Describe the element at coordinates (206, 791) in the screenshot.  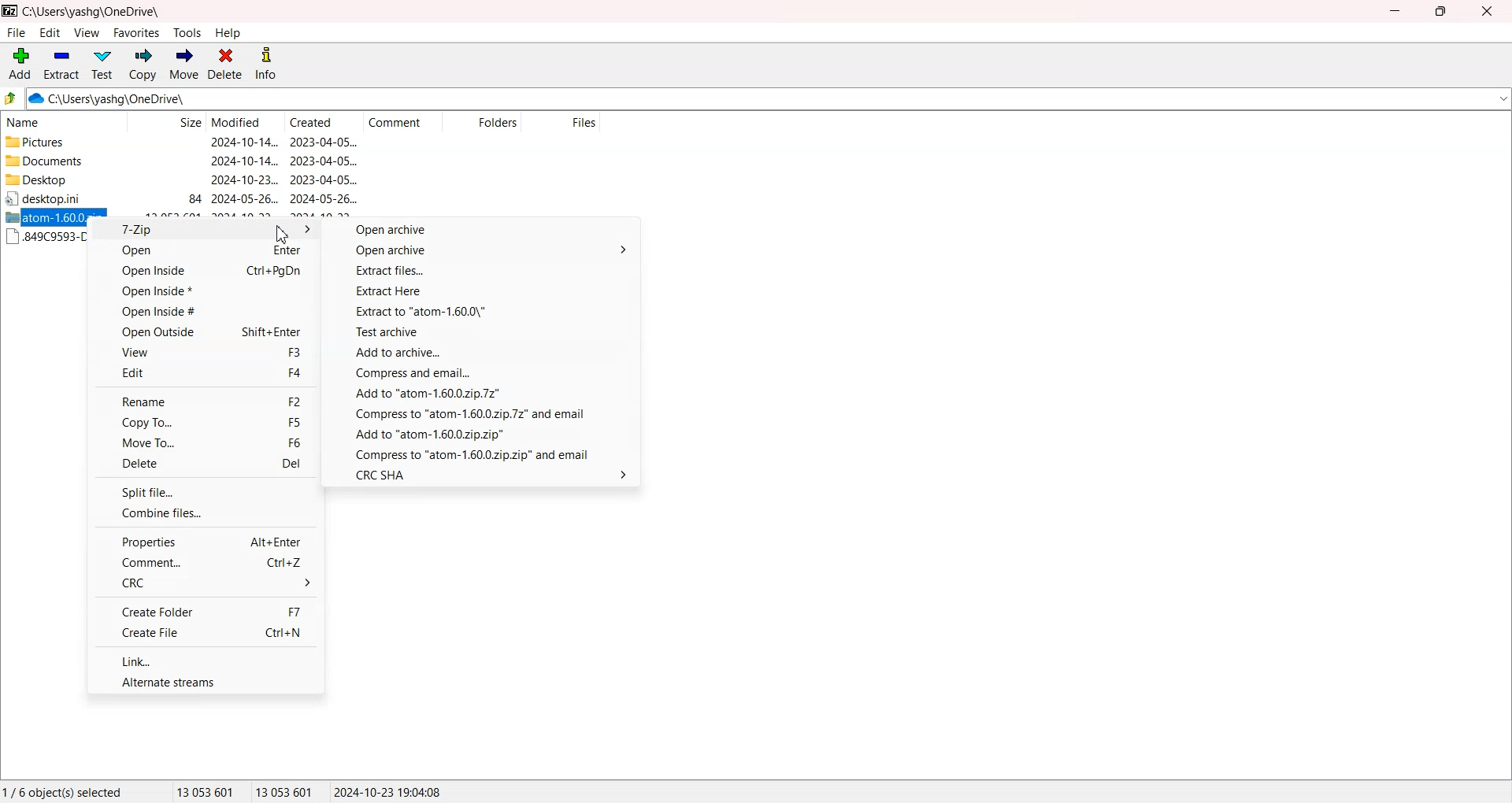
I see `13 053 601` at that location.